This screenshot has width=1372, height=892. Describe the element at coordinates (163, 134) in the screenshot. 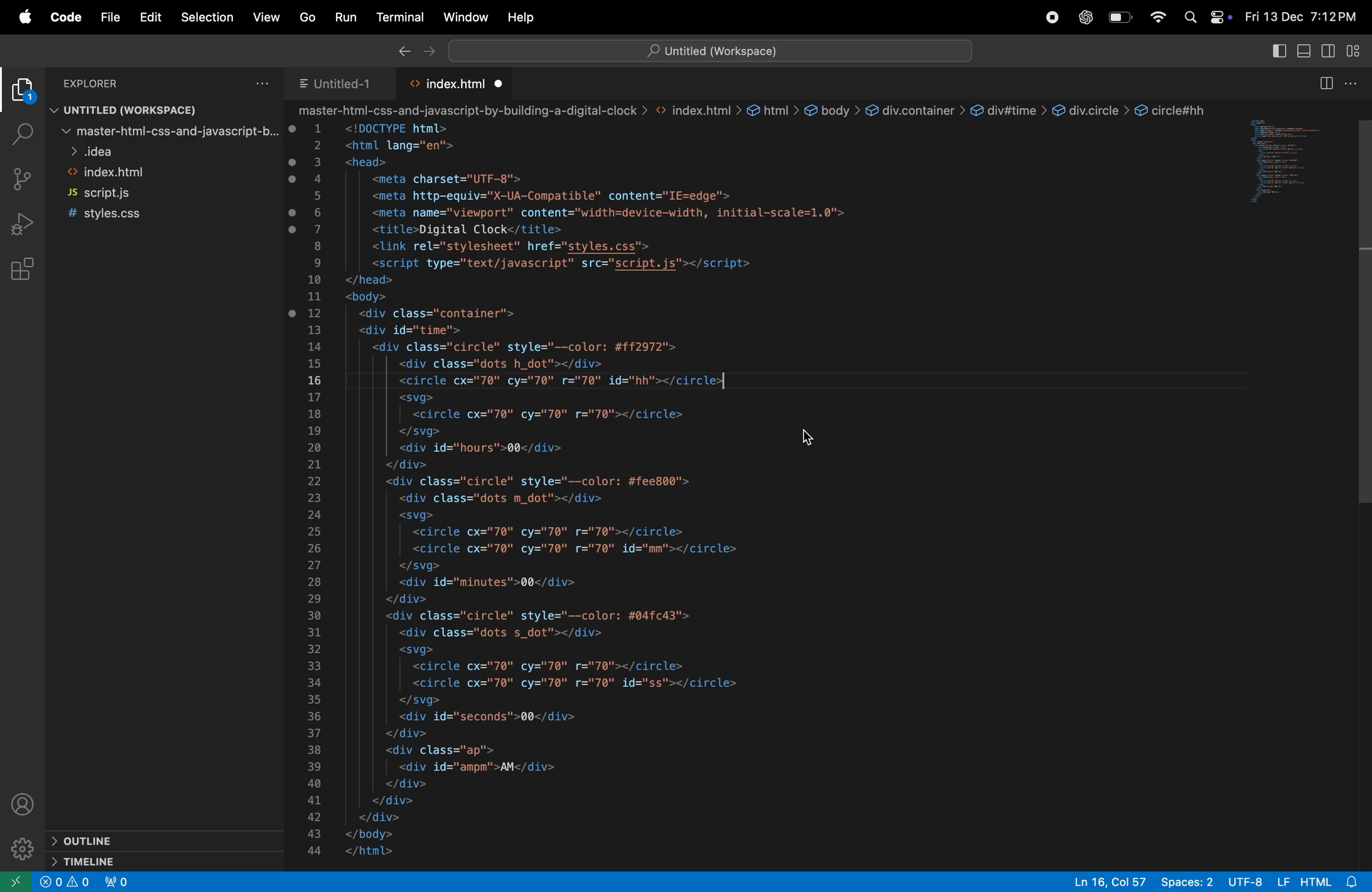

I see `master file` at that location.